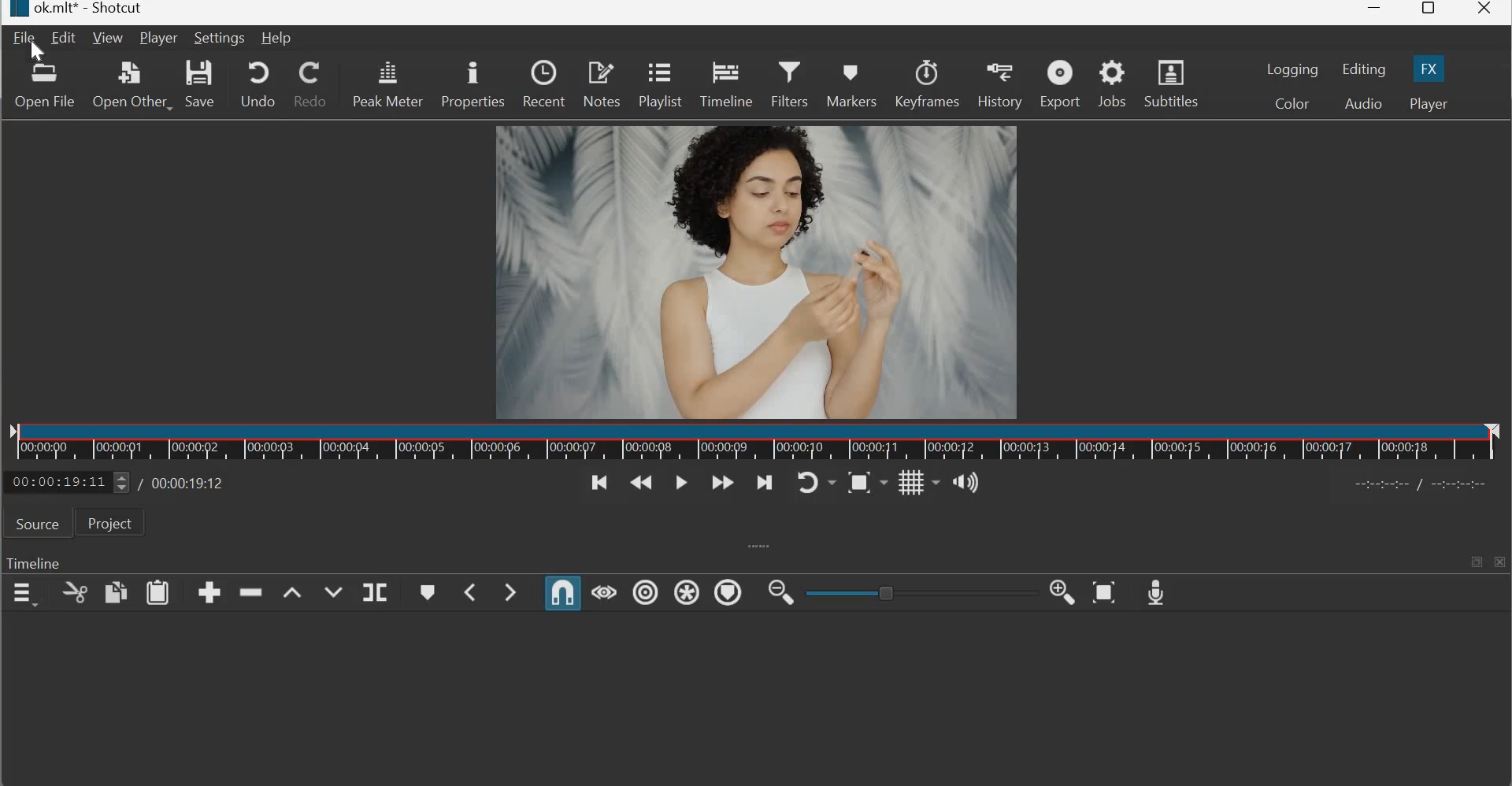 Image resolution: width=1512 pixels, height=786 pixels. I want to click on Export, so click(1060, 84).